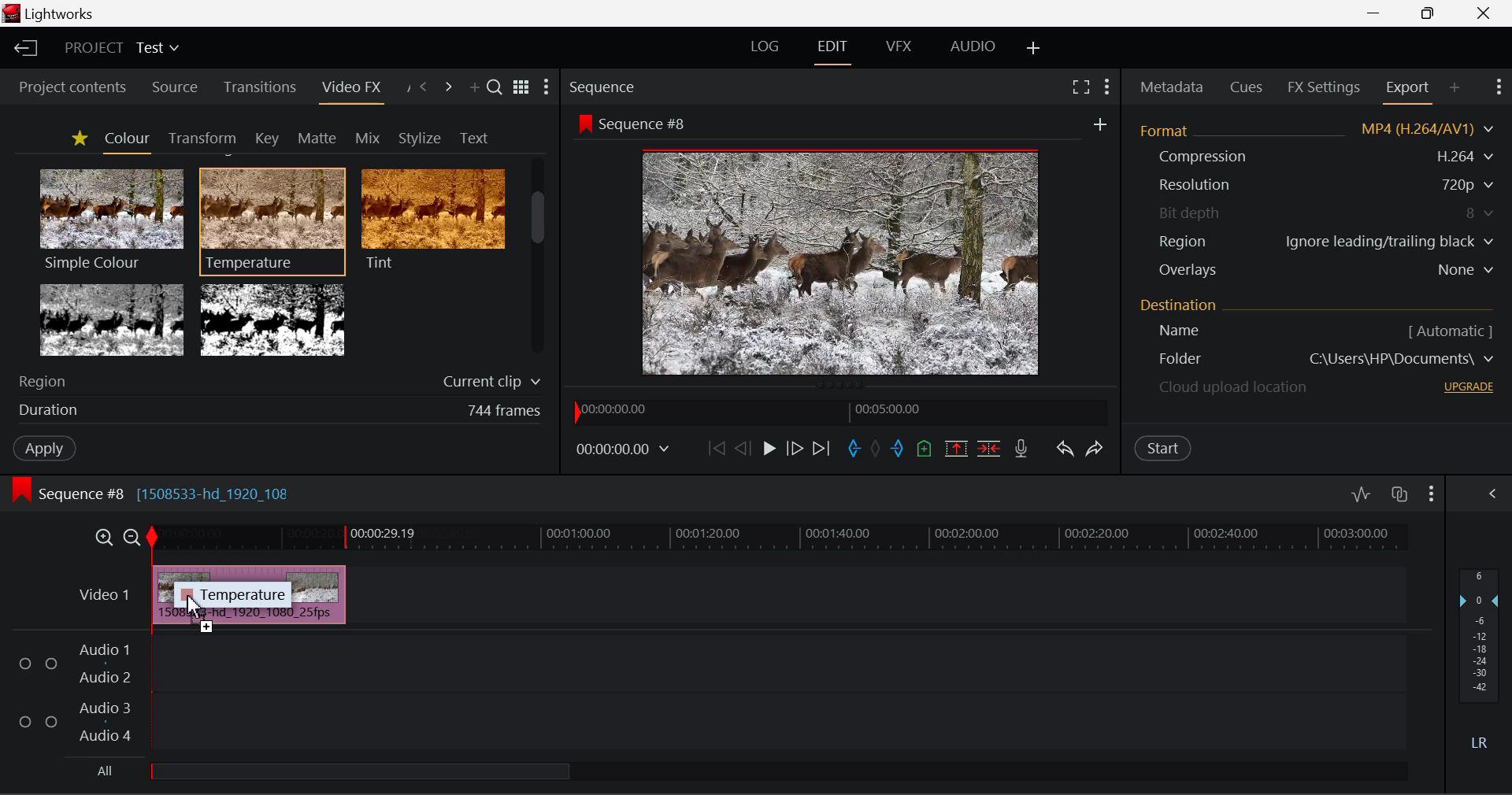  Describe the element at coordinates (875, 450) in the screenshot. I see `Remove all marks` at that location.